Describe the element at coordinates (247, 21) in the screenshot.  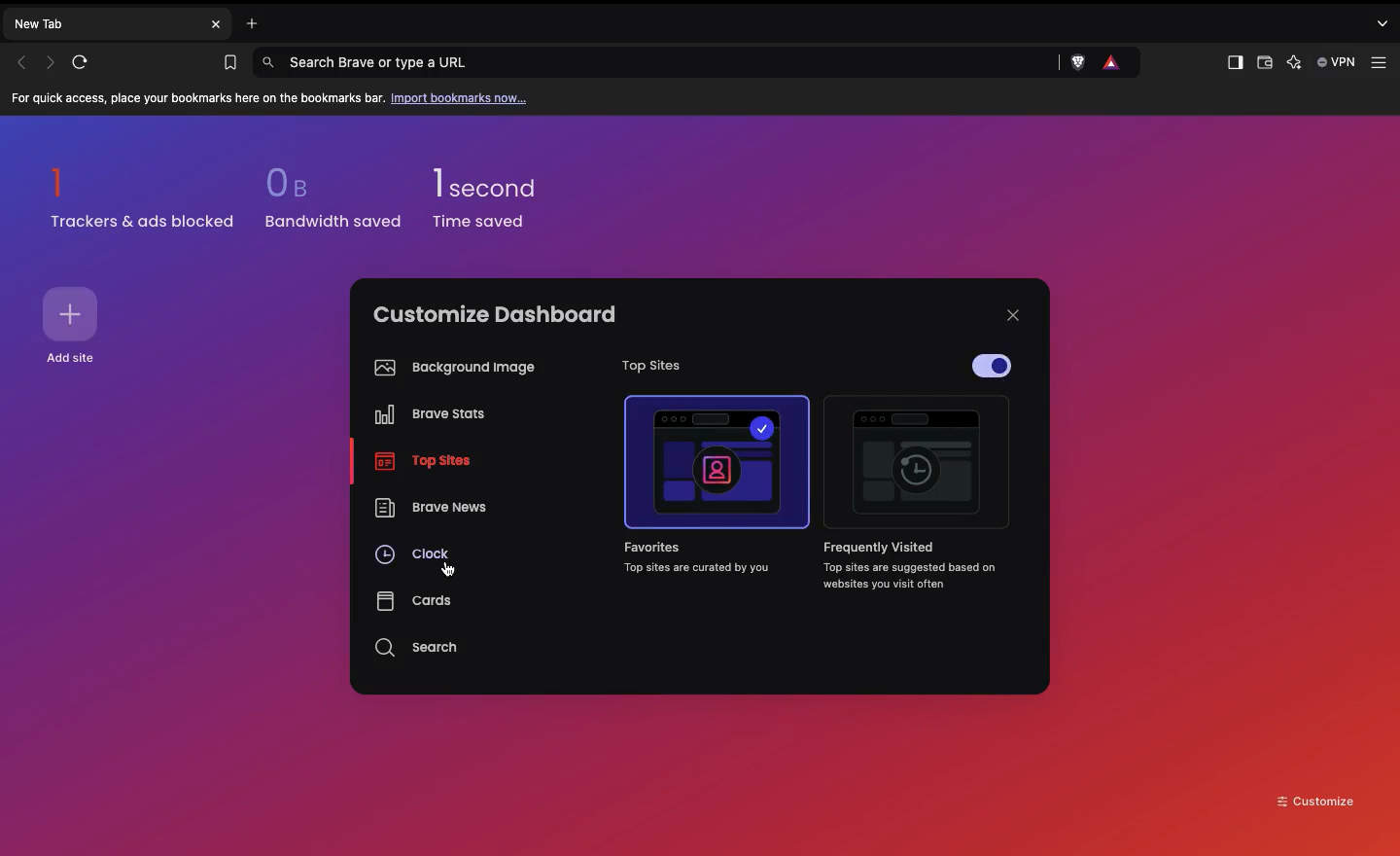
I see `Open new tab` at that location.